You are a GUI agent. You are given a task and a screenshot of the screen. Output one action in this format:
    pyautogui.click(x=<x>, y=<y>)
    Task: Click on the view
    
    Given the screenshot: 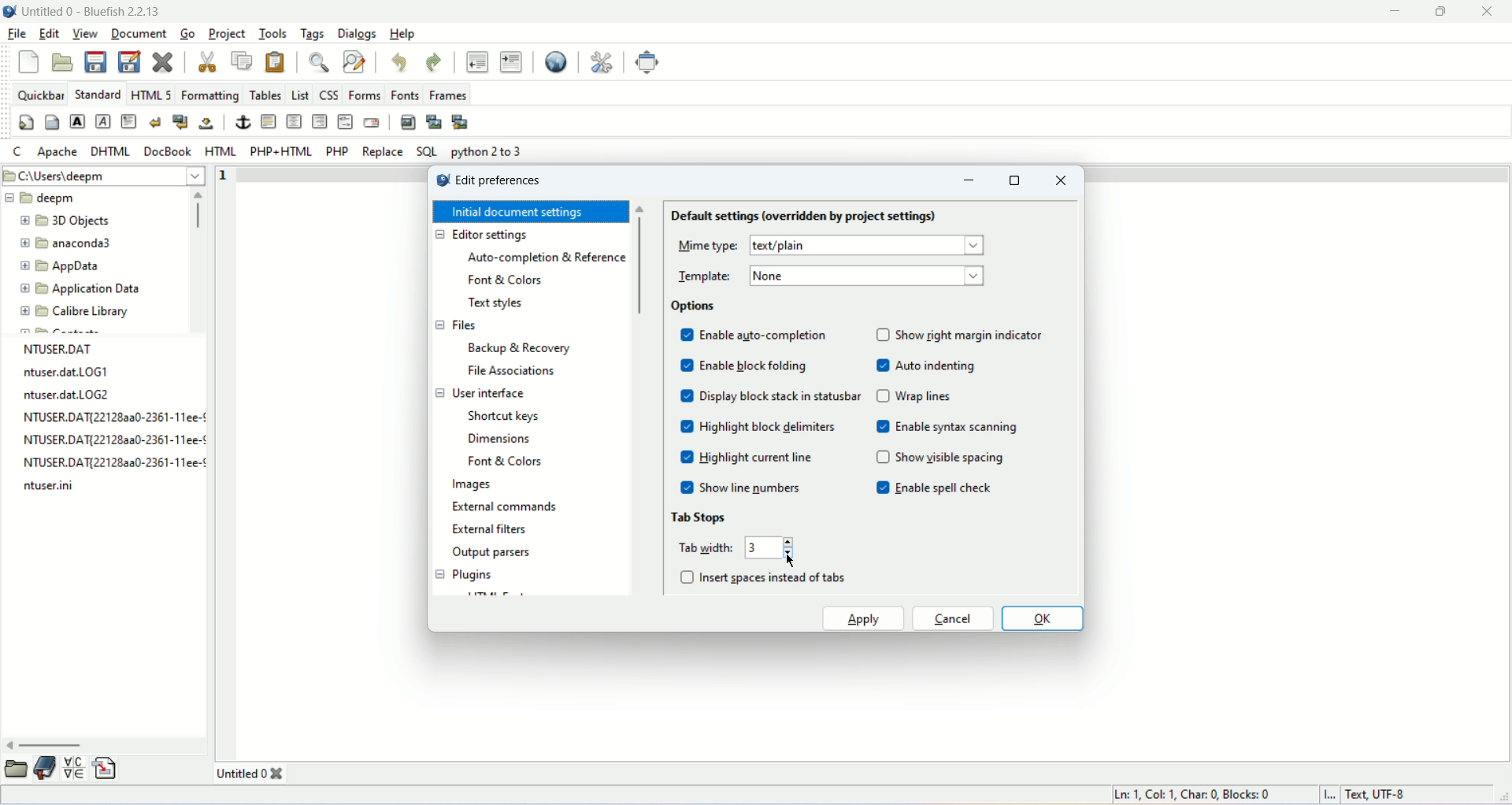 What is the action you would take?
    pyautogui.click(x=82, y=34)
    